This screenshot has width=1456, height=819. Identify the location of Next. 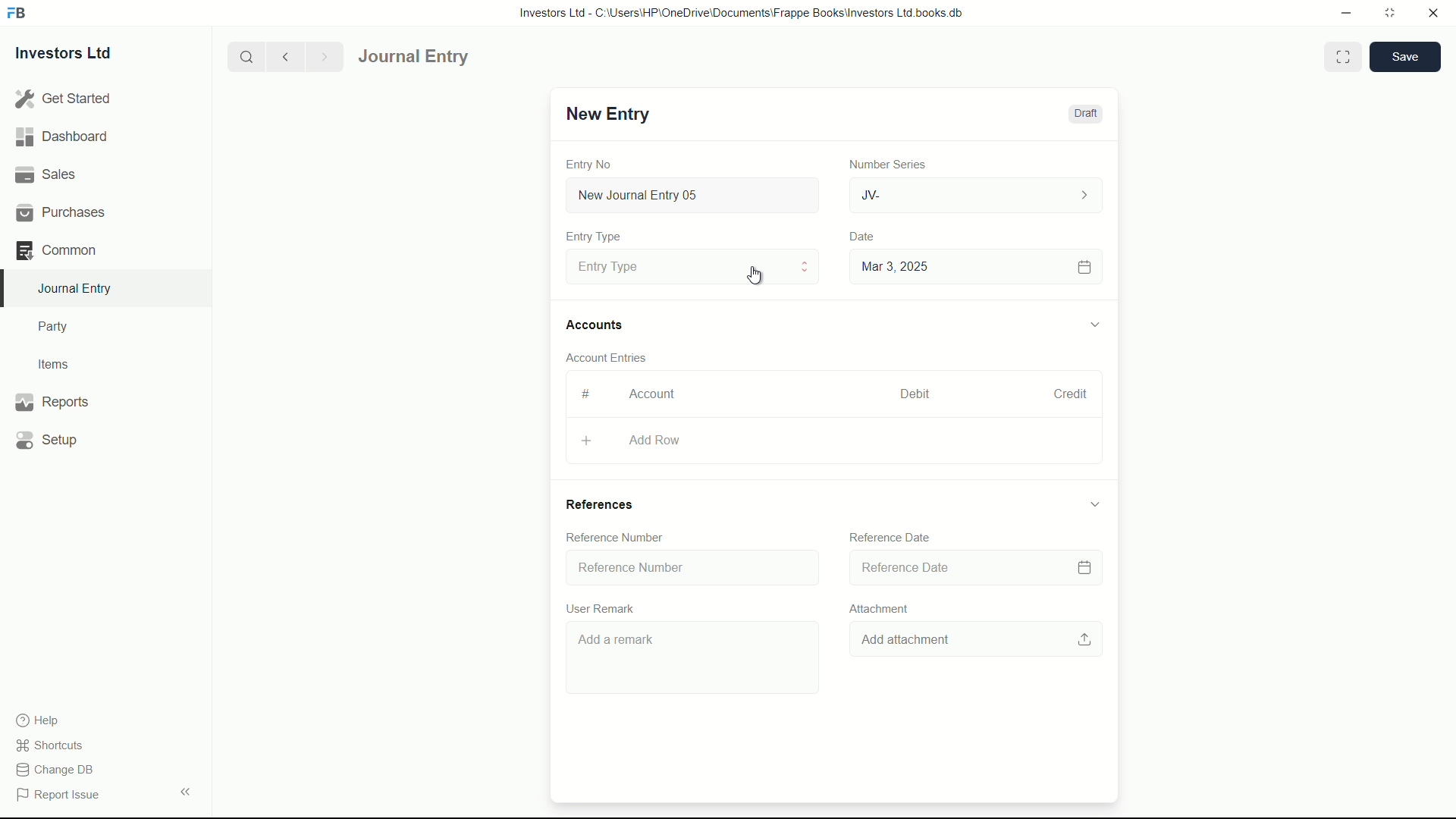
(322, 56).